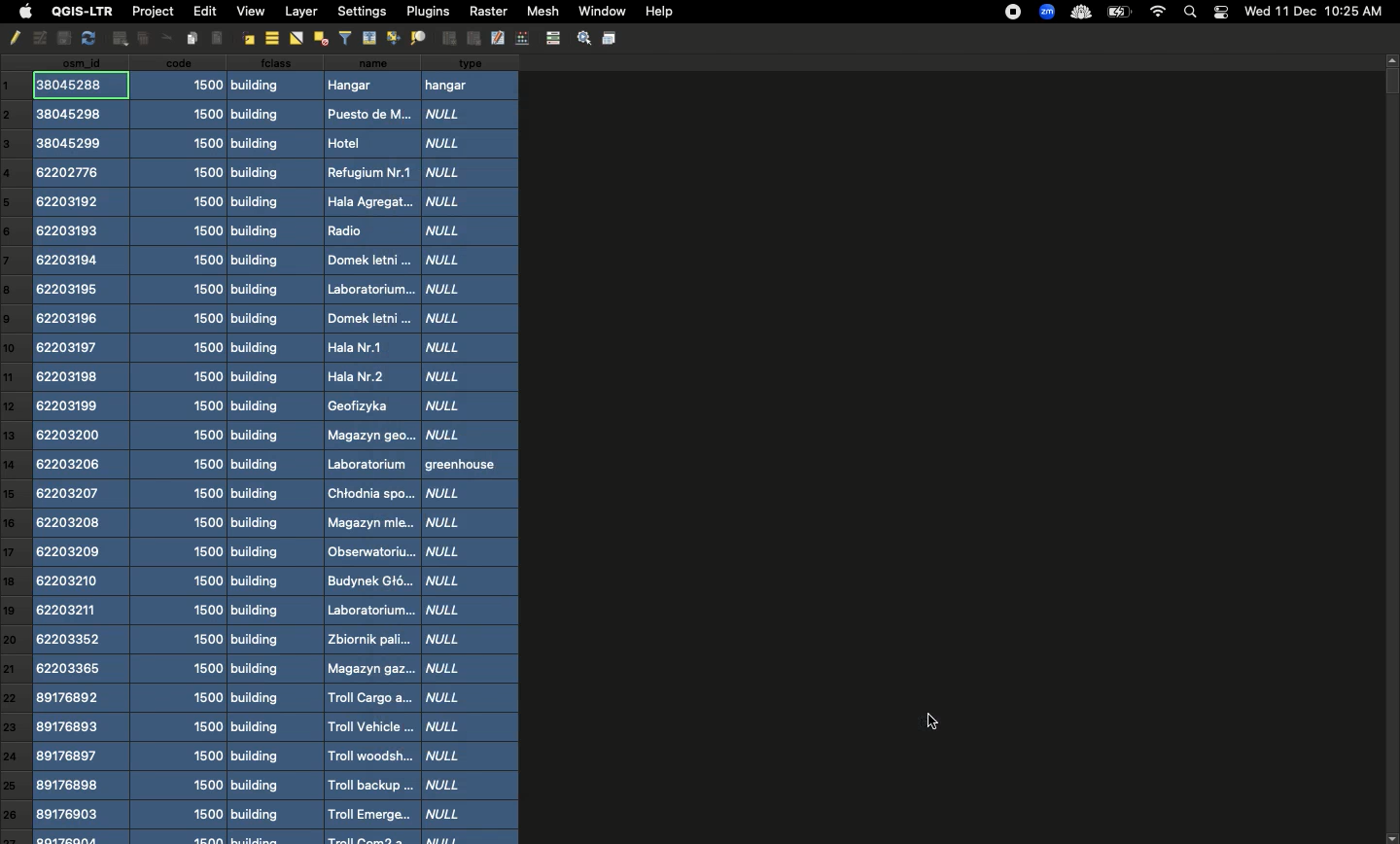 The width and height of the screenshot is (1400, 844). I want to click on Raster, so click(487, 11).